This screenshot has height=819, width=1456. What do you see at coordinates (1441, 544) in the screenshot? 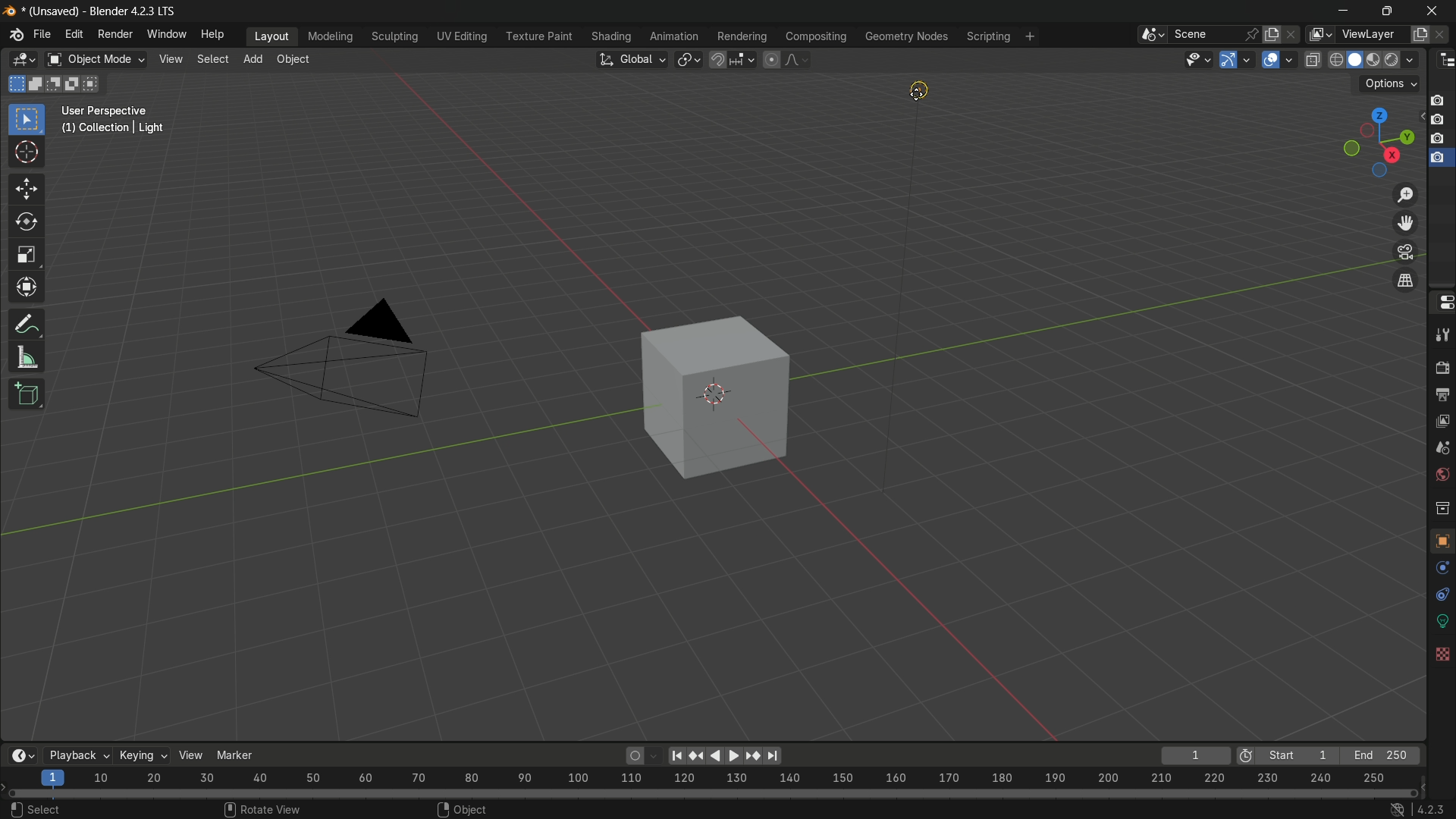
I see `object` at bounding box center [1441, 544].